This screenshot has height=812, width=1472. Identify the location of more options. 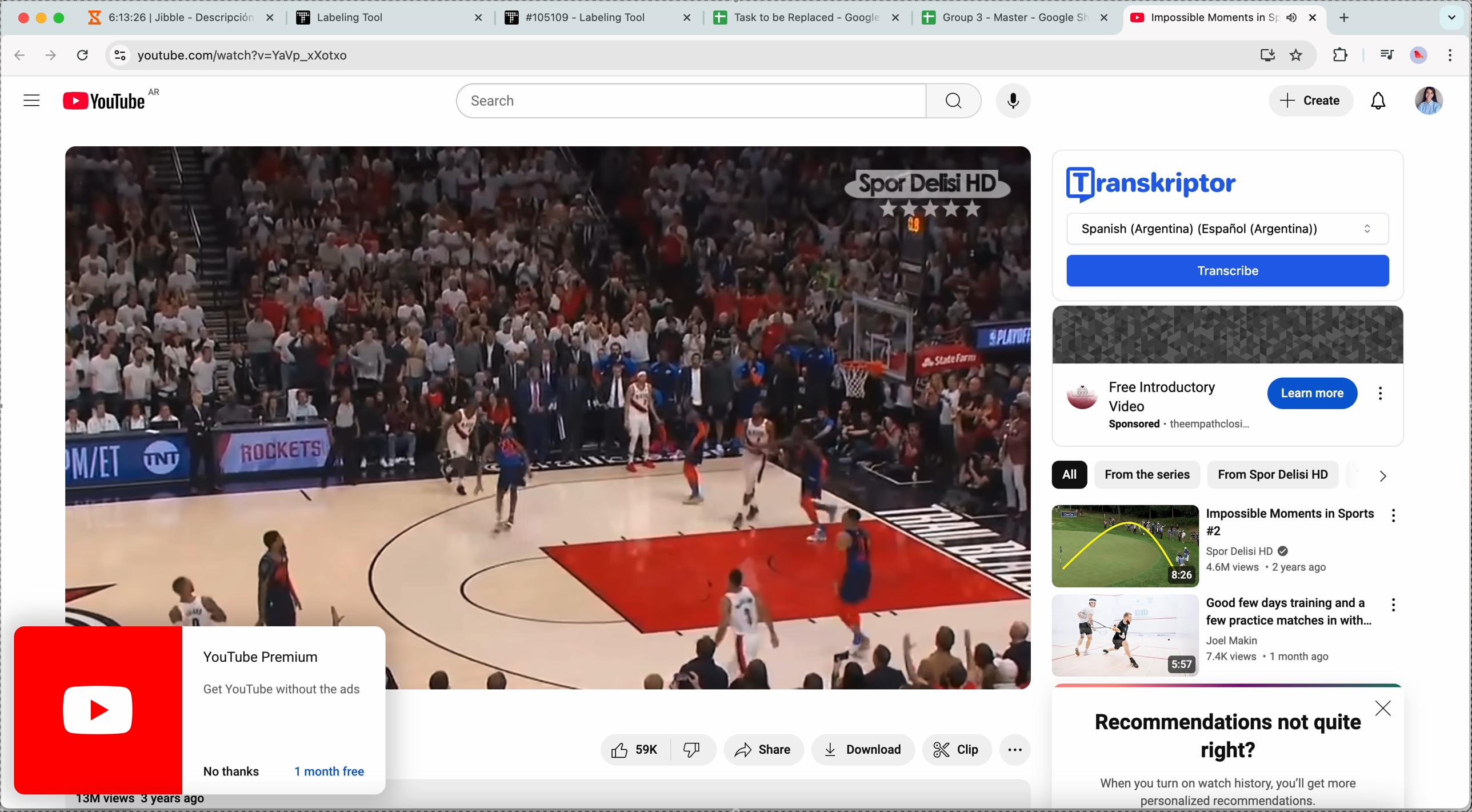
(1016, 750).